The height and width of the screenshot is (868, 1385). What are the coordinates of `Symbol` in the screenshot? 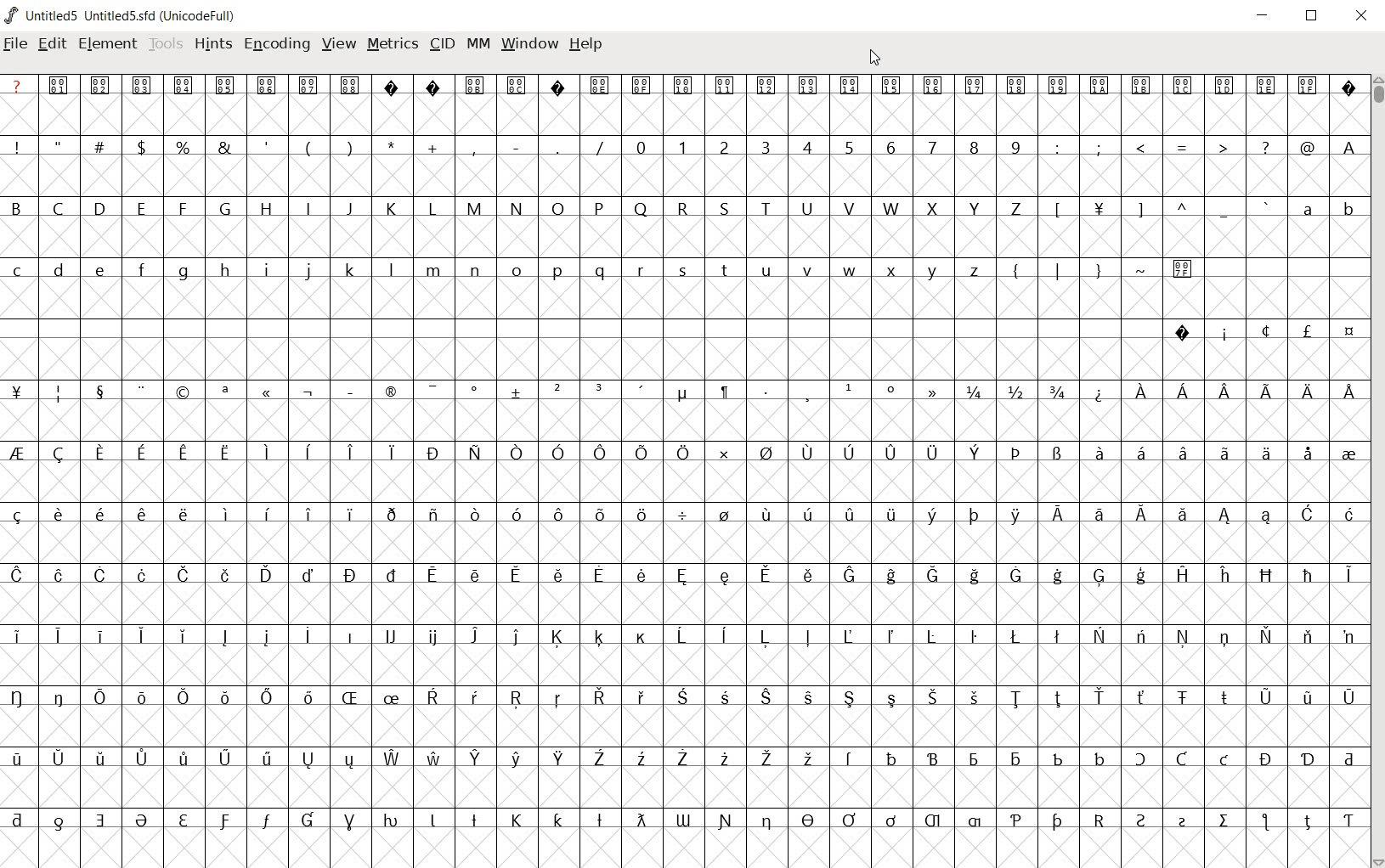 It's located at (557, 637).